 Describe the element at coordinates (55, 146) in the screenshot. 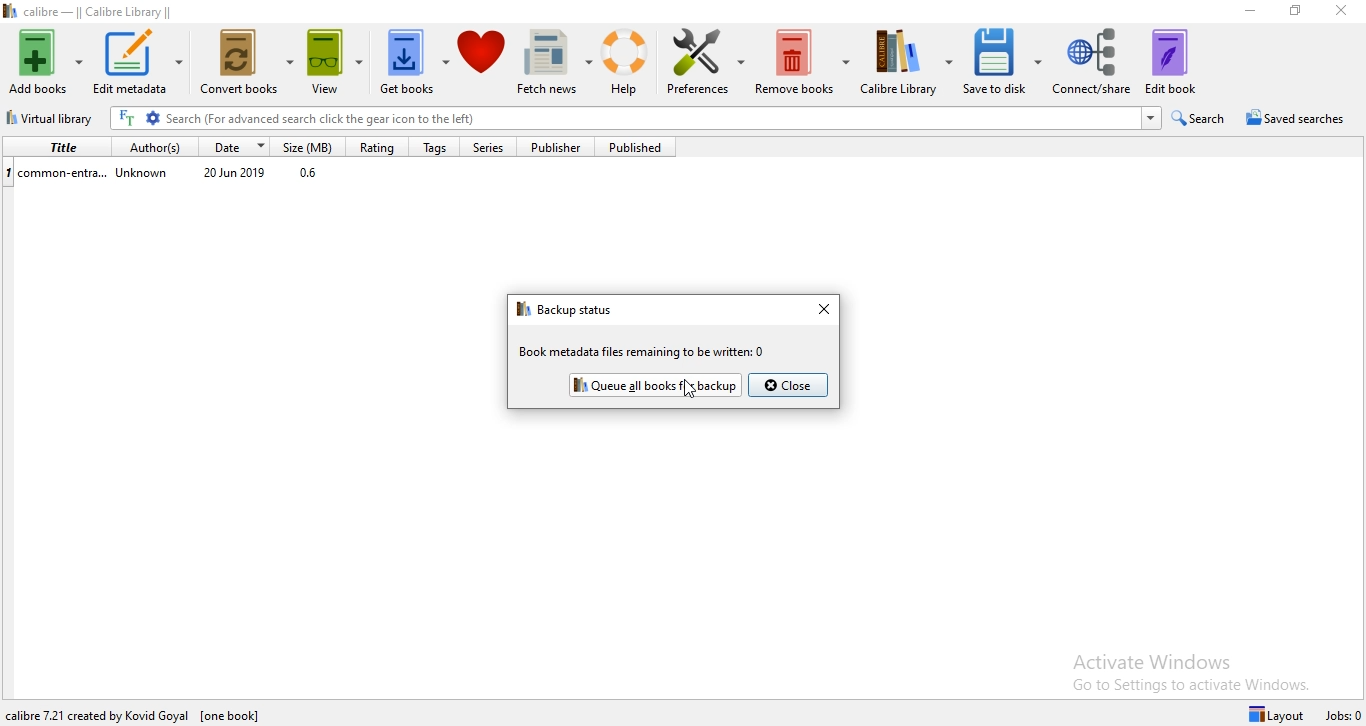

I see `Title` at that location.